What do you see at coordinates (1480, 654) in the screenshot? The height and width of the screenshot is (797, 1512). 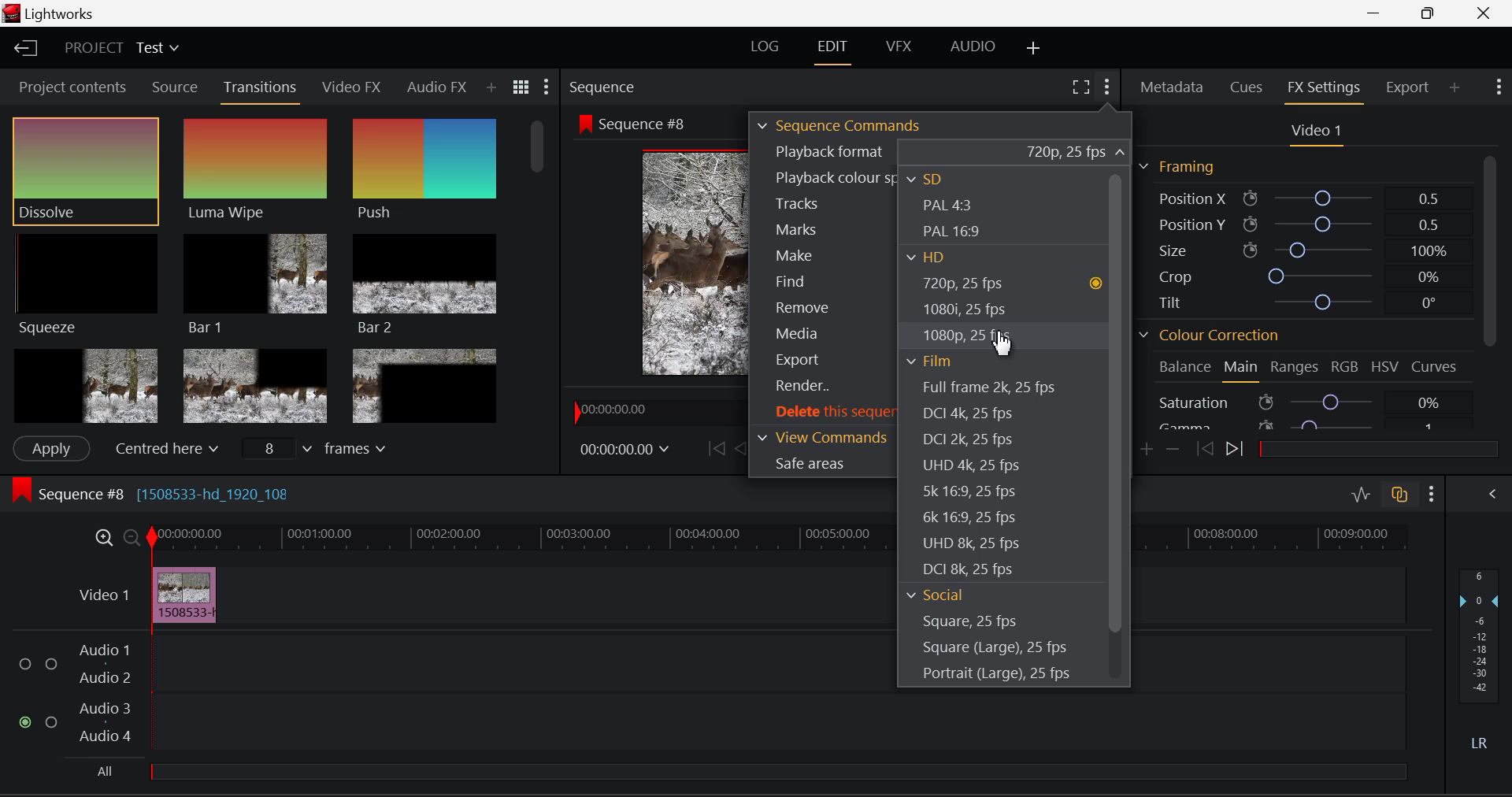 I see `Decibel Level` at bounding box center [1480, 654].